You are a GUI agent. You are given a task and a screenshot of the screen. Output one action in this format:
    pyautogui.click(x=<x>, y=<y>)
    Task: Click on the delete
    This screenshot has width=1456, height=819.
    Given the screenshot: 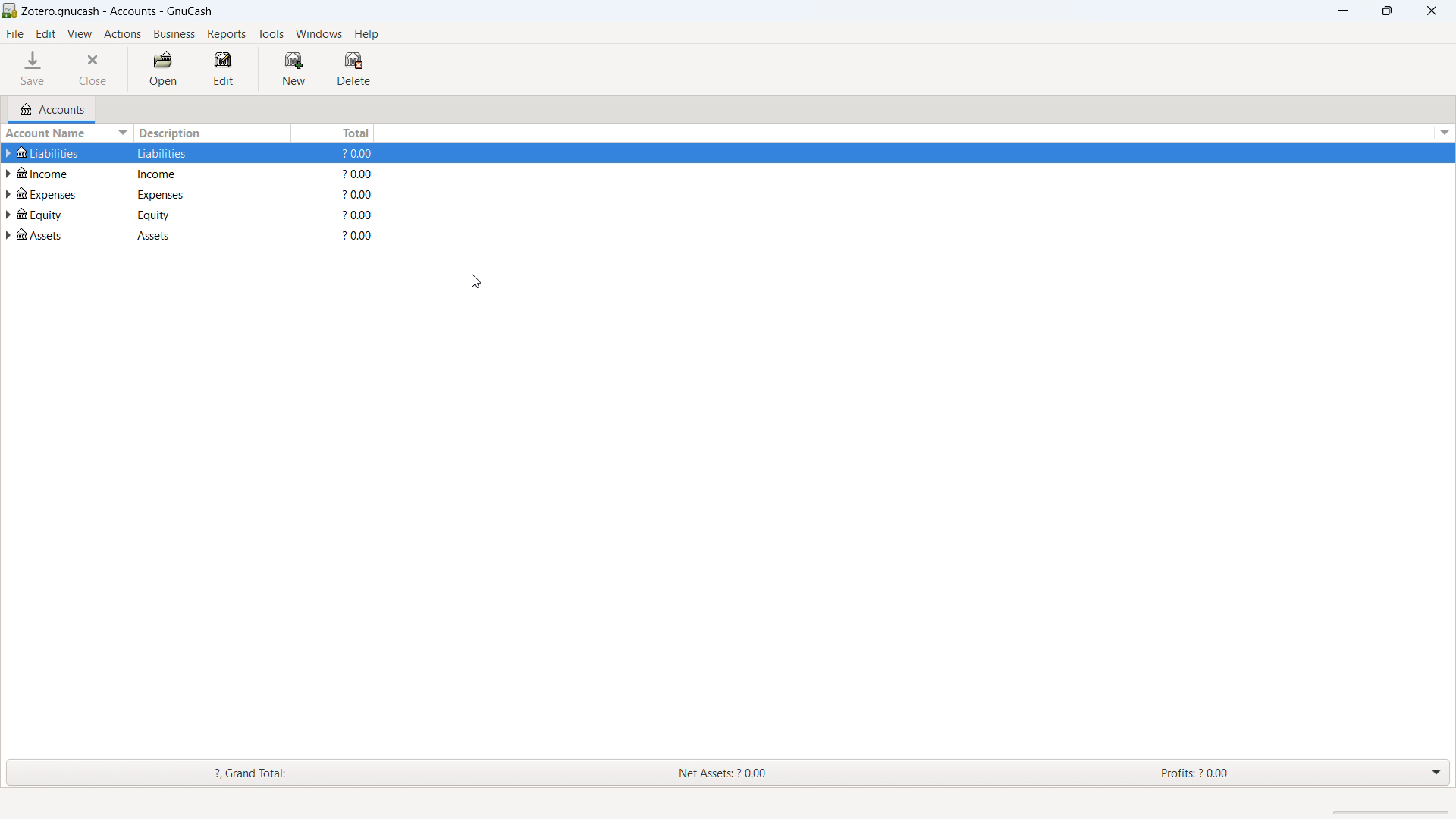 What is the action you would take?
    pyautogui.click(x=353, y=69)
    